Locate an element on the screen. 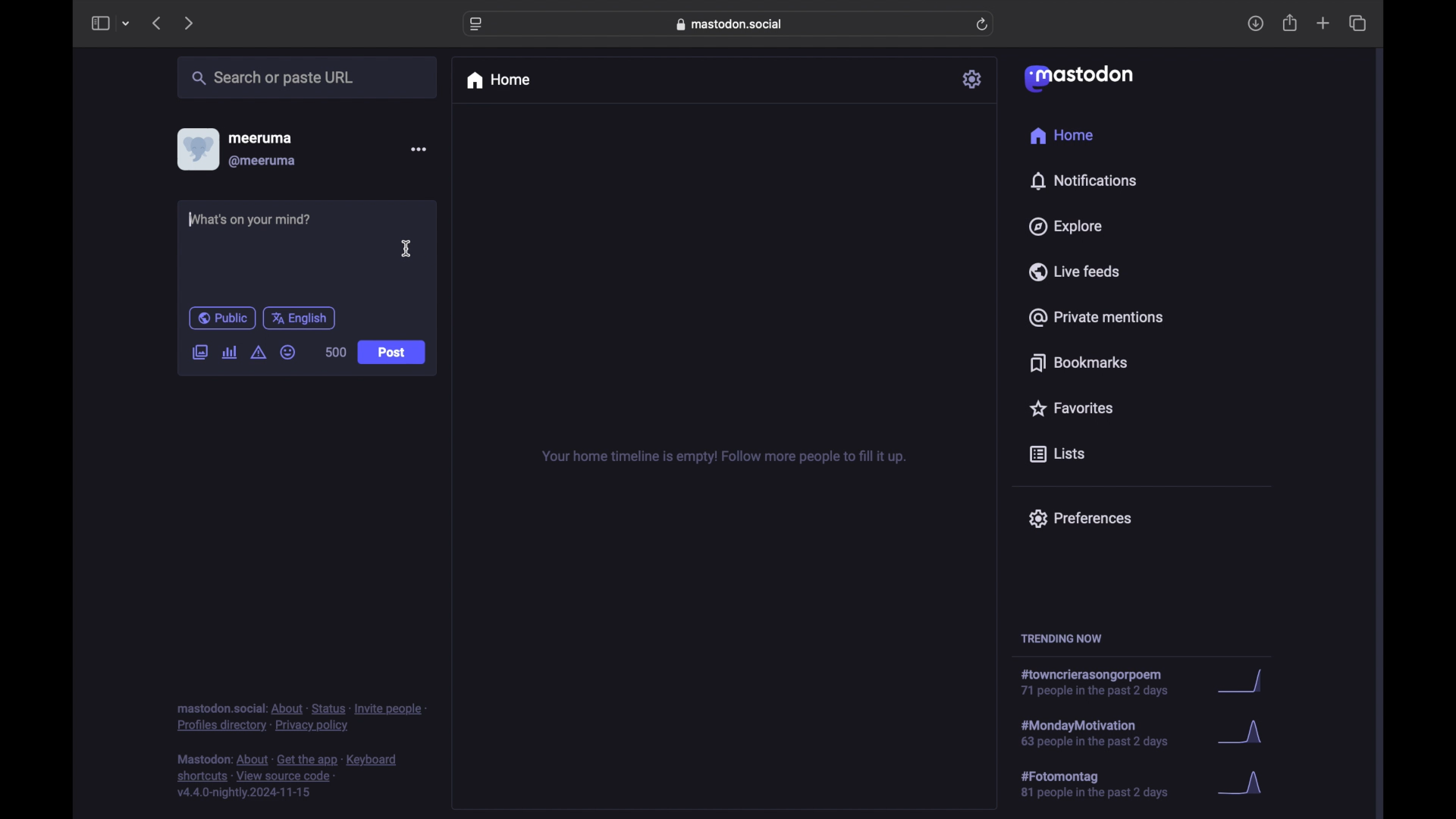 This screenshot has width=1456, height=819. hashtag  trend is located at coordinates (1109, 732).